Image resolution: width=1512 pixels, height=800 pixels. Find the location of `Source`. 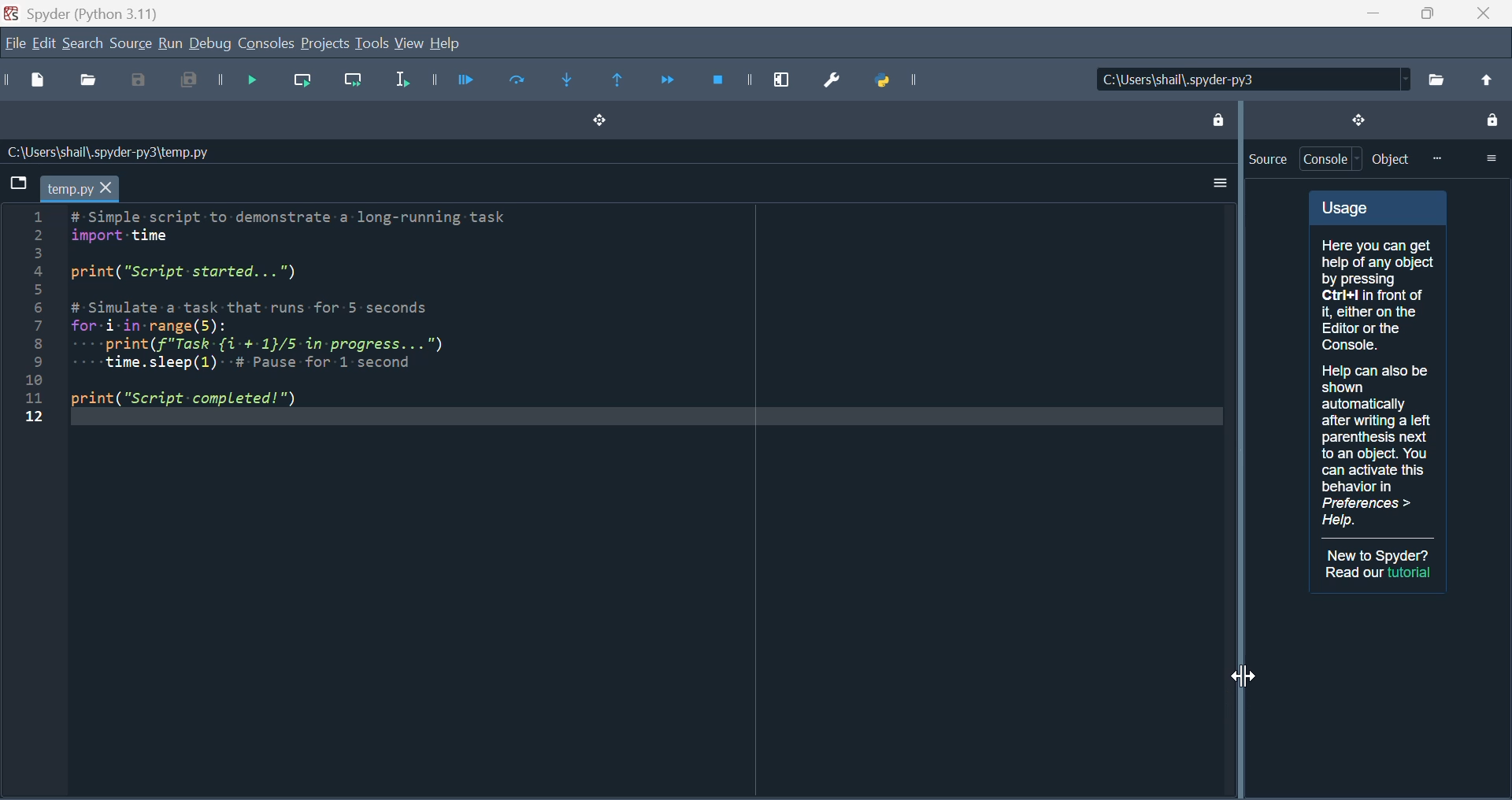

Source is located at coordinates (1267, 159).